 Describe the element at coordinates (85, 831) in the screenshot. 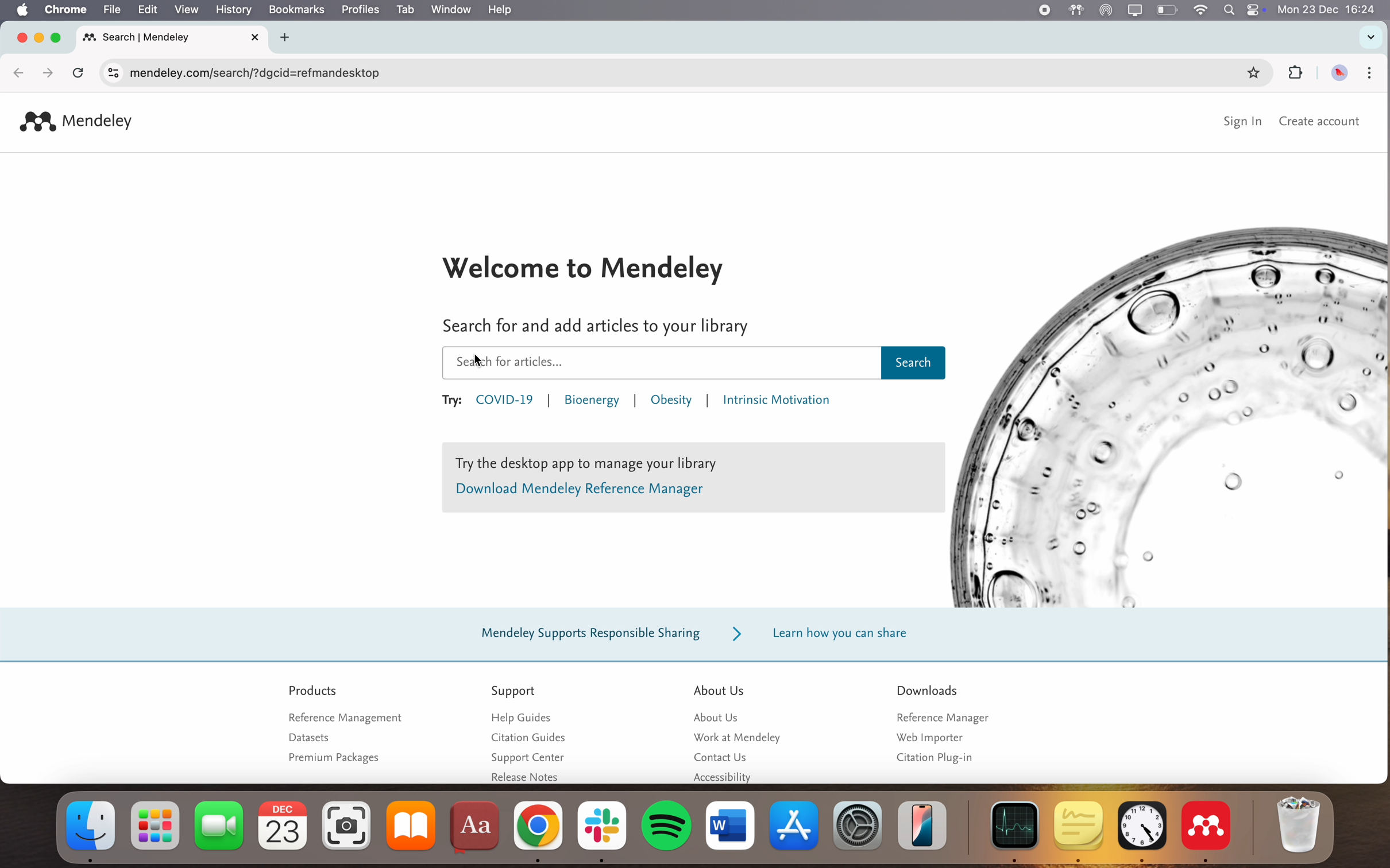

I see `finder` at that location.